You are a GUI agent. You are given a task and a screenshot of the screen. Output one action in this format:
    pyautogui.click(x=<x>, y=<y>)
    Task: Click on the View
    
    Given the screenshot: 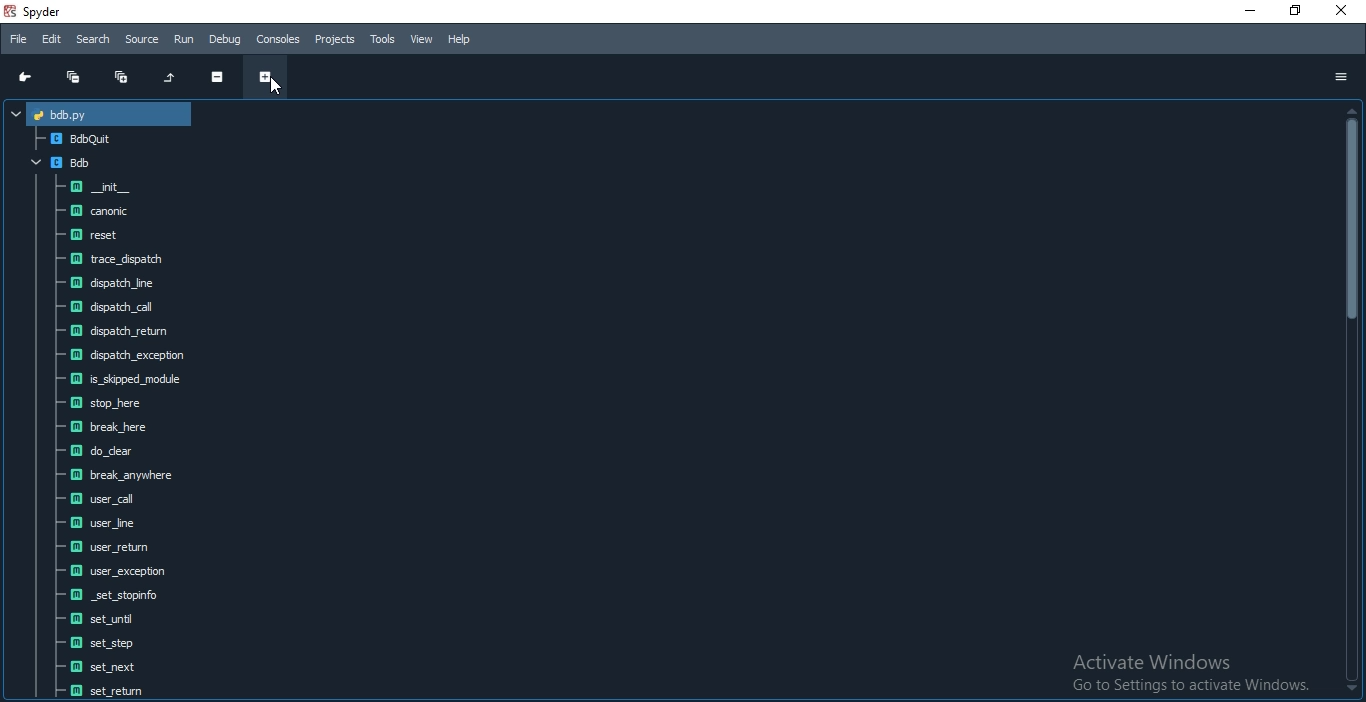 What is the action you would take?
    pyautogui.click(x=423, y=40)
    